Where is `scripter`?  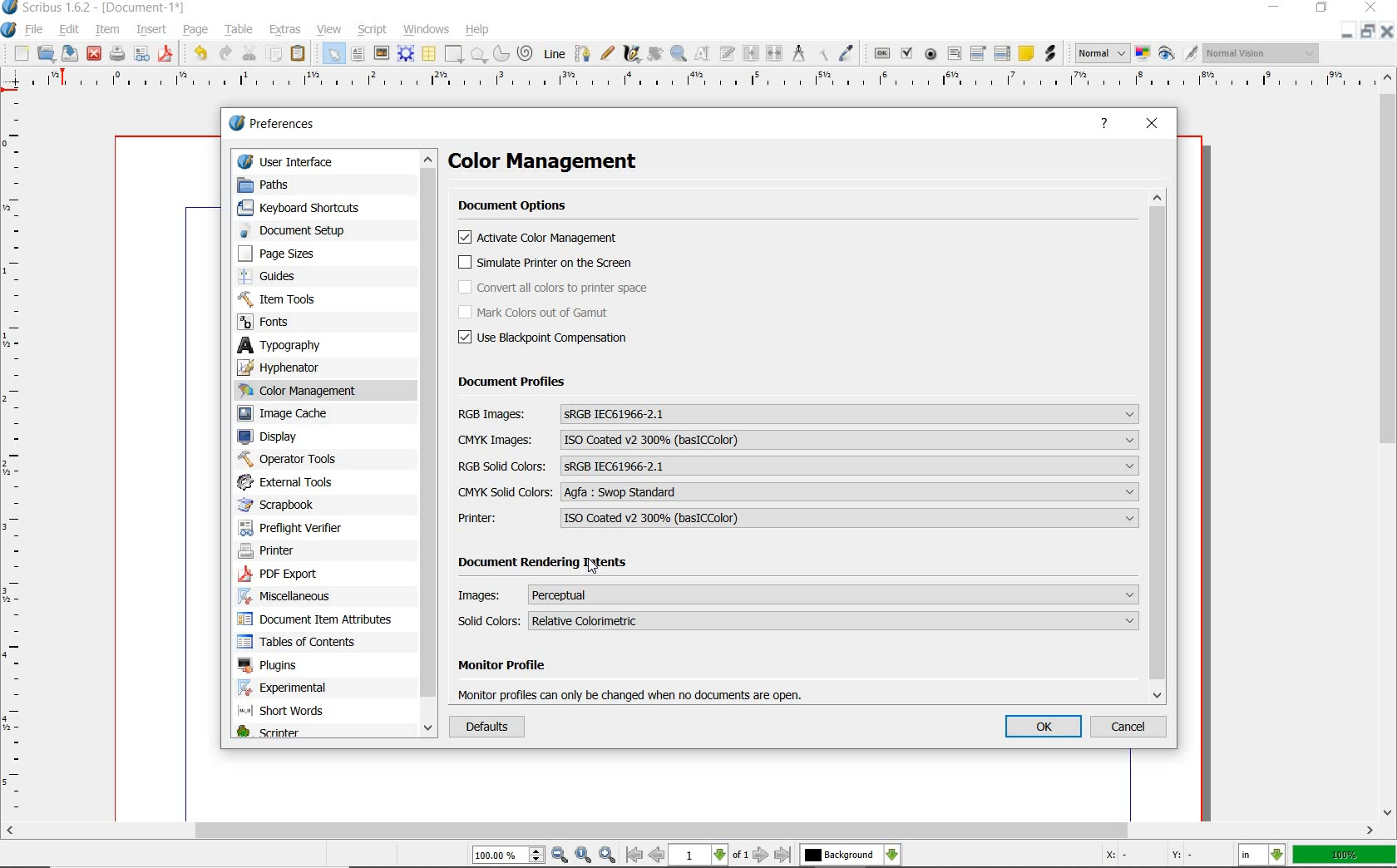 scripter is located at coordinates (287, 732).